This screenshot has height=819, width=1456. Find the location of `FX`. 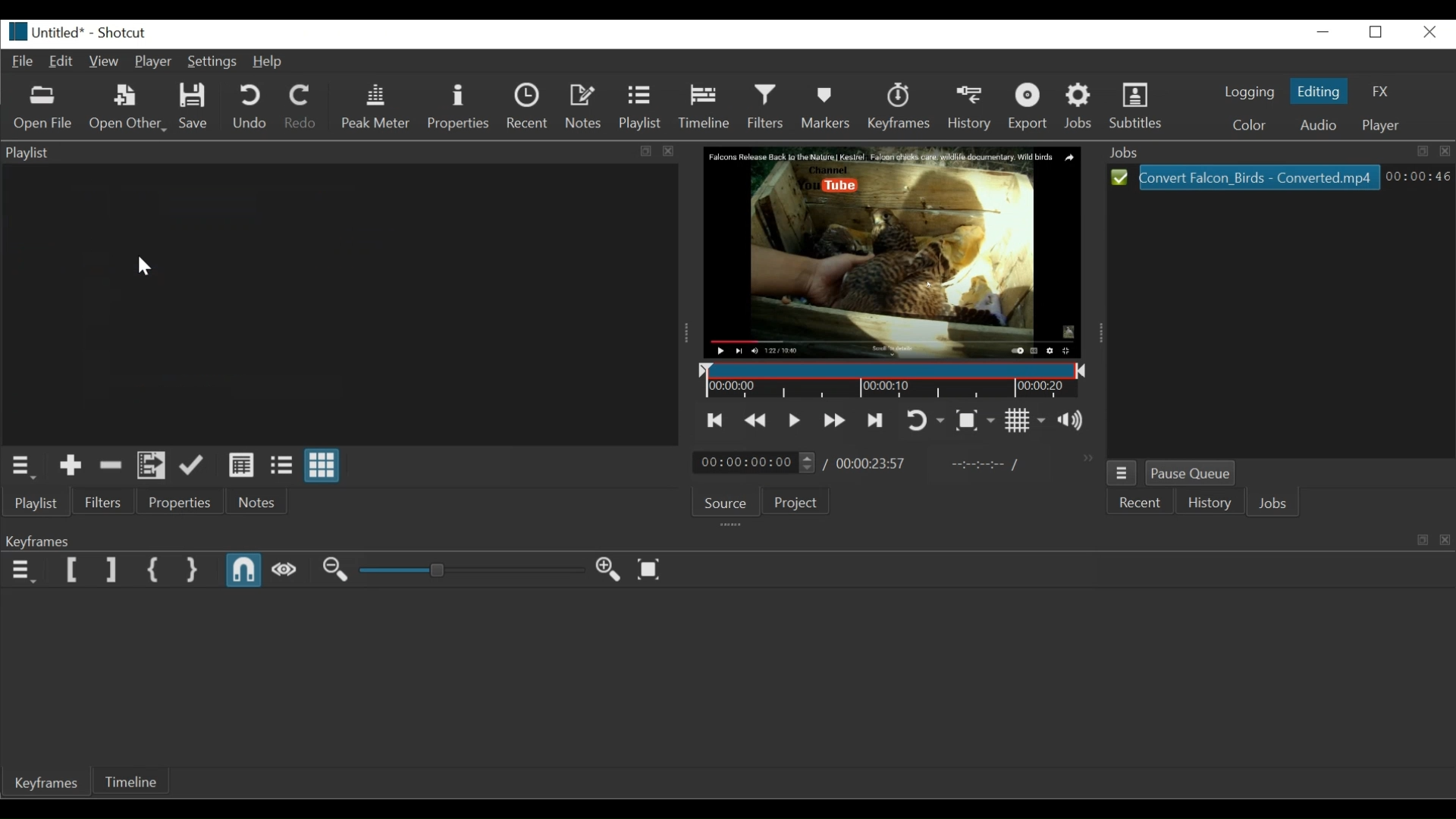

FX is located at coordinates (1376, 92).